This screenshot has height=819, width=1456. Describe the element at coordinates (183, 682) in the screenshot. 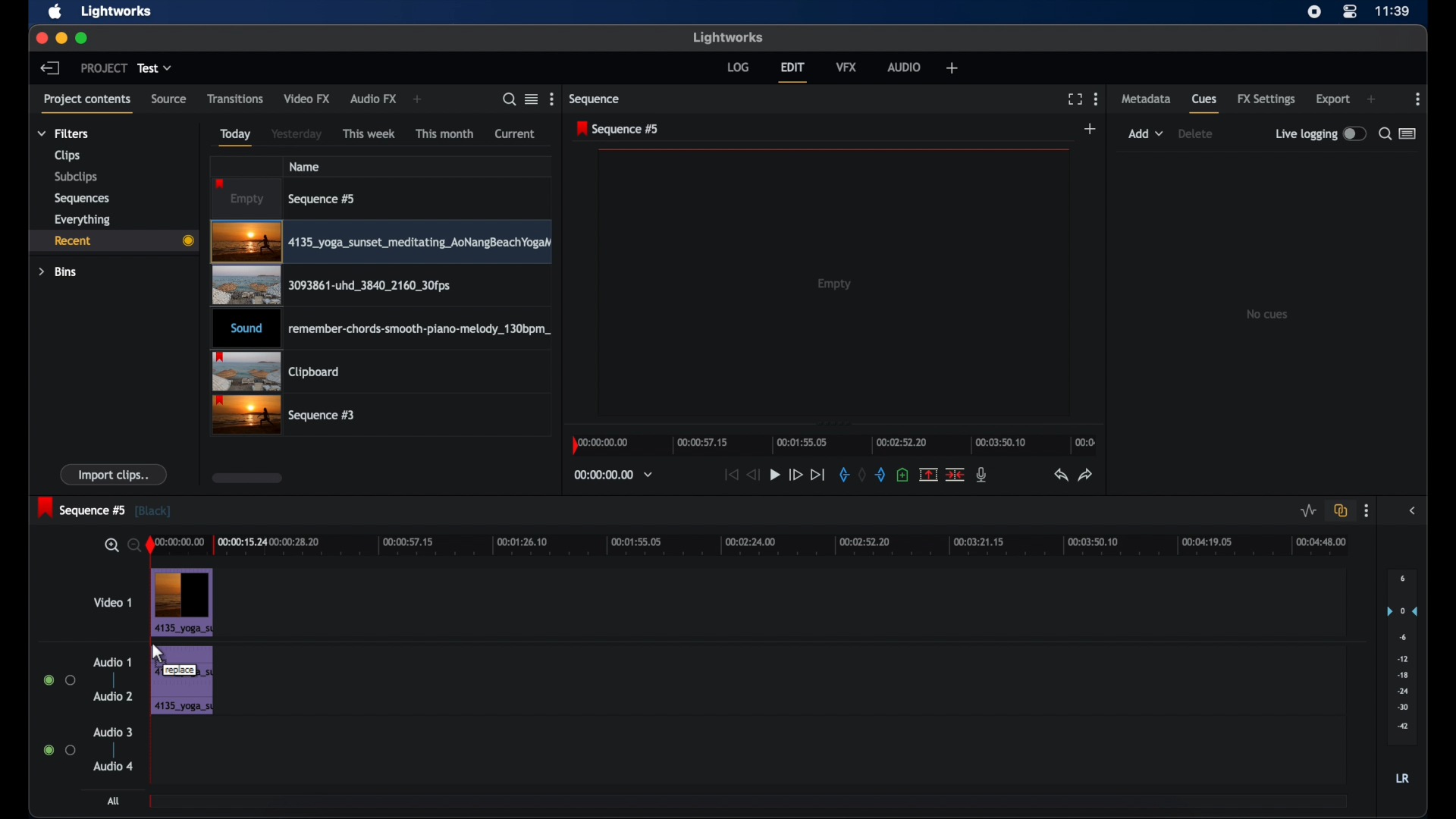

I see `audio clip` at that location.